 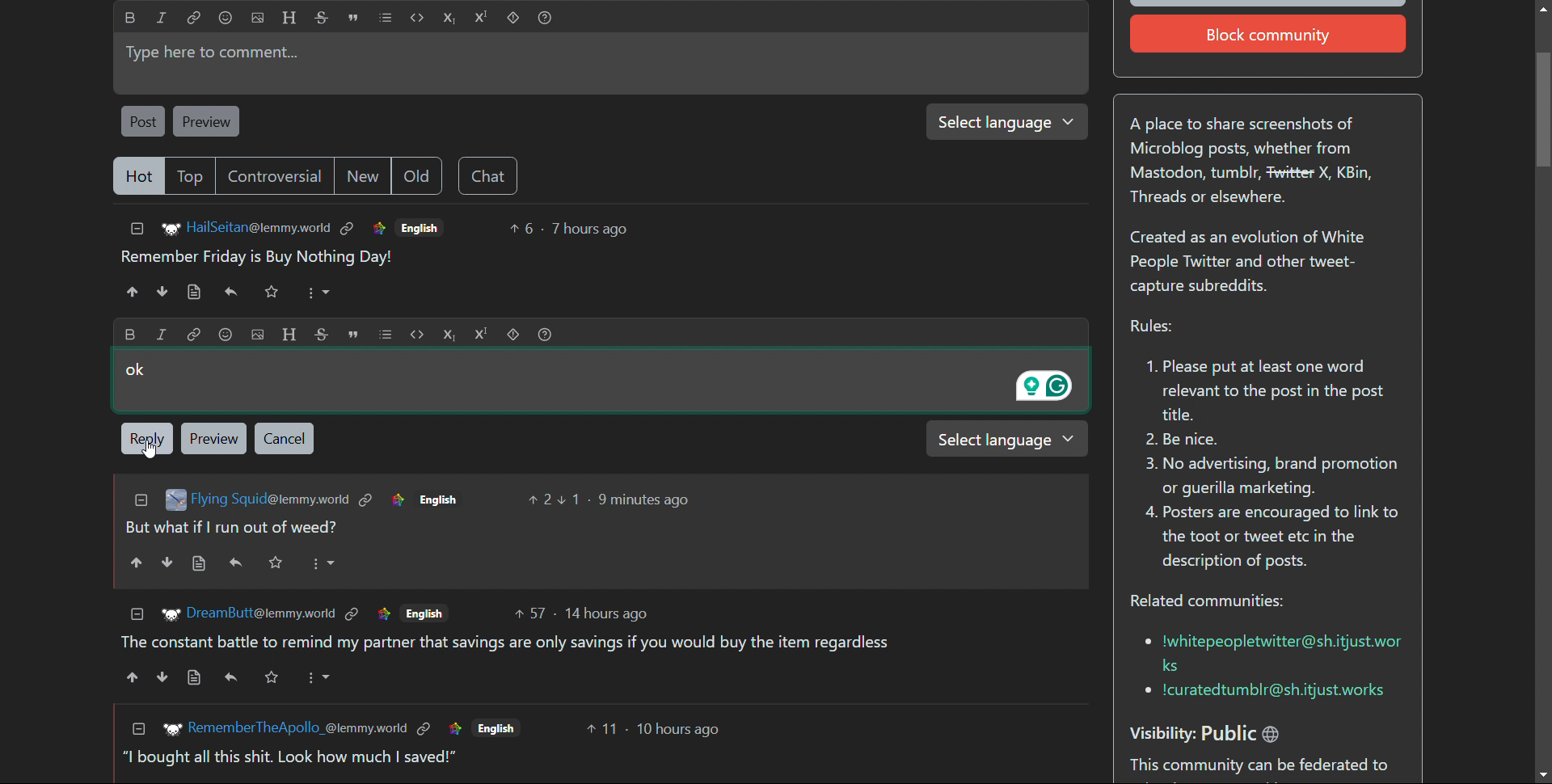 I want to click on image, so click(x=167, y=230).